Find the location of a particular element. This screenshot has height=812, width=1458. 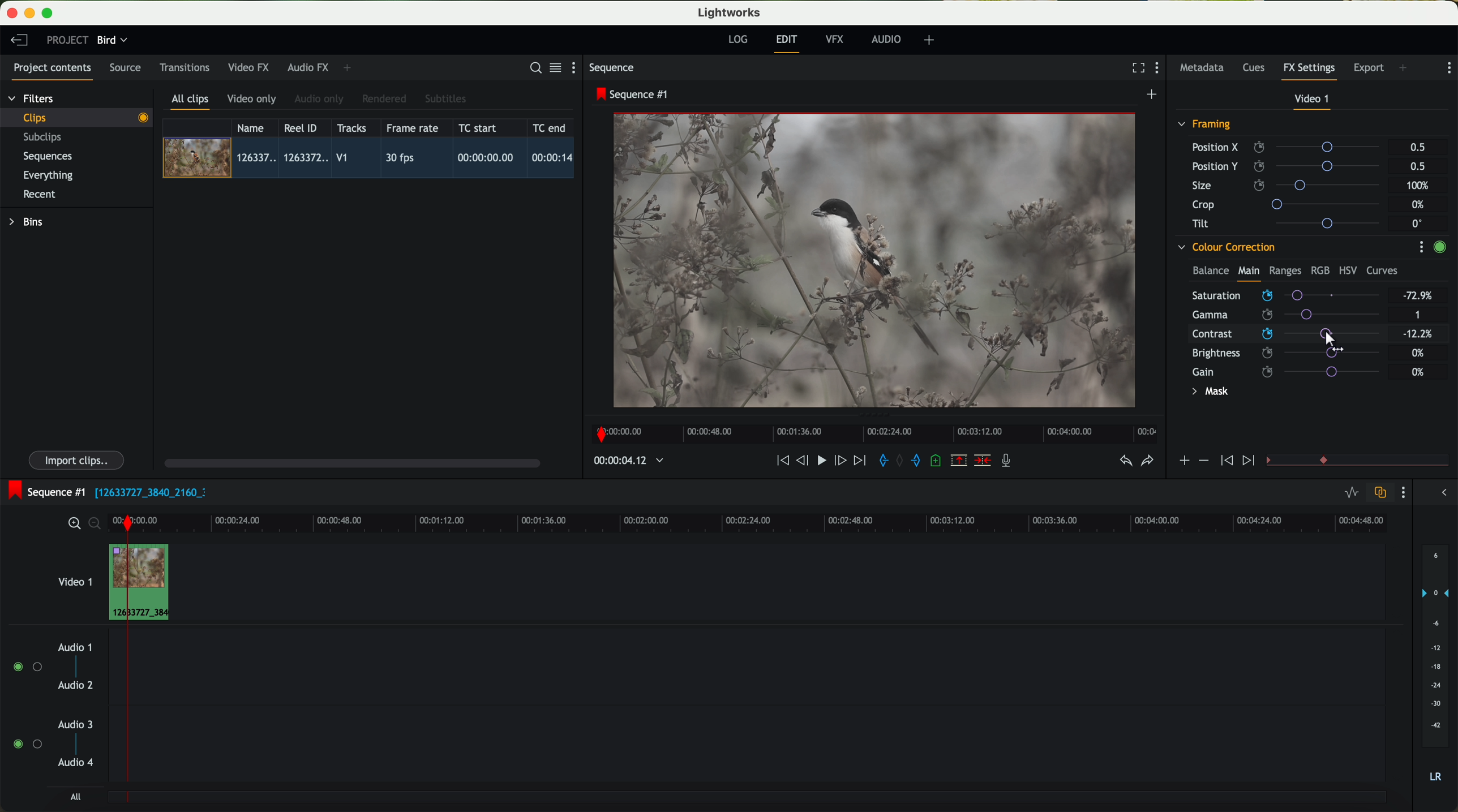

VFX is located at coordinates (837, 40).